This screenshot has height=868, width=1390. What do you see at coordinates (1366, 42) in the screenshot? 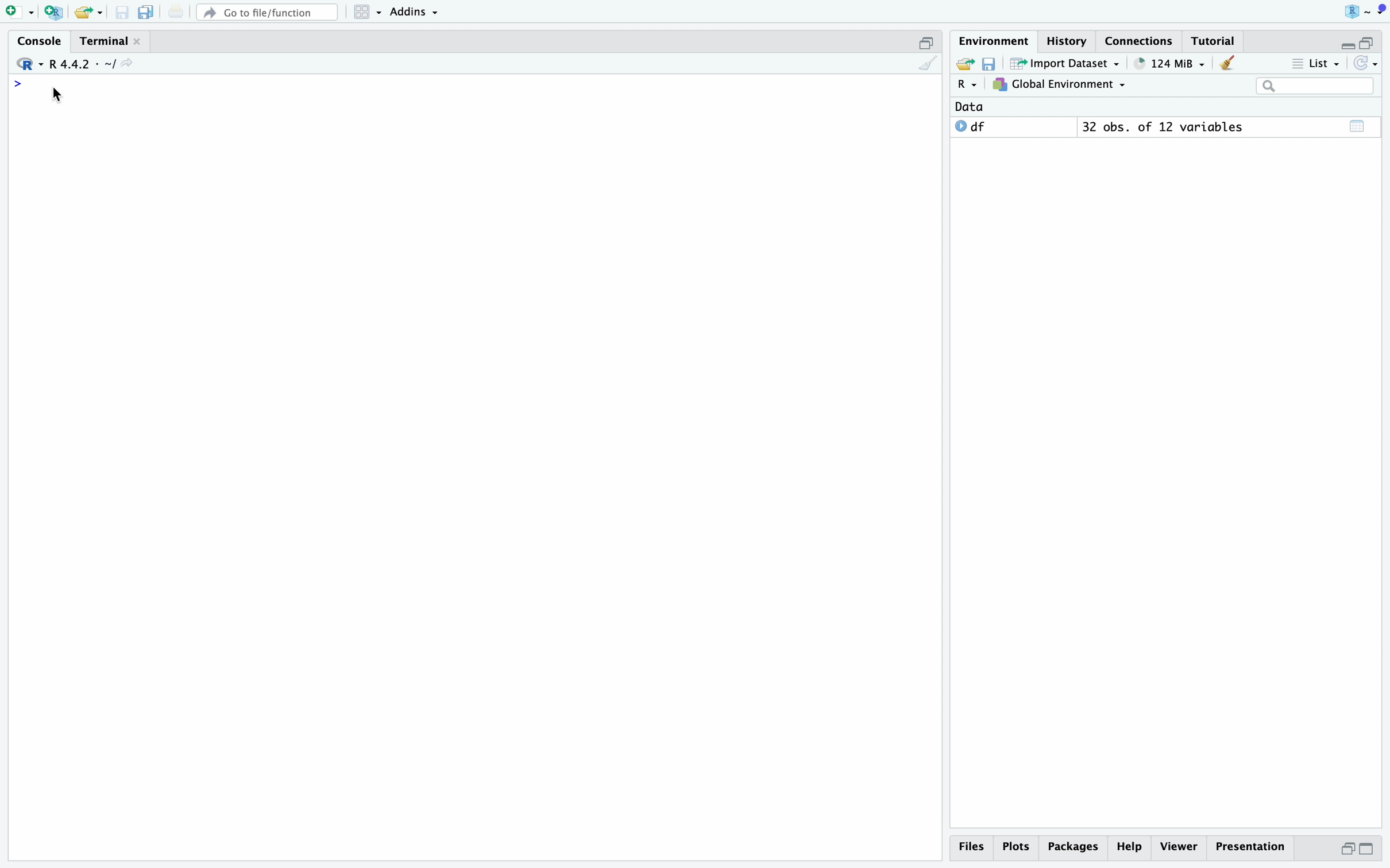
I see `open in separate window` at bounding box center [1366, 42].